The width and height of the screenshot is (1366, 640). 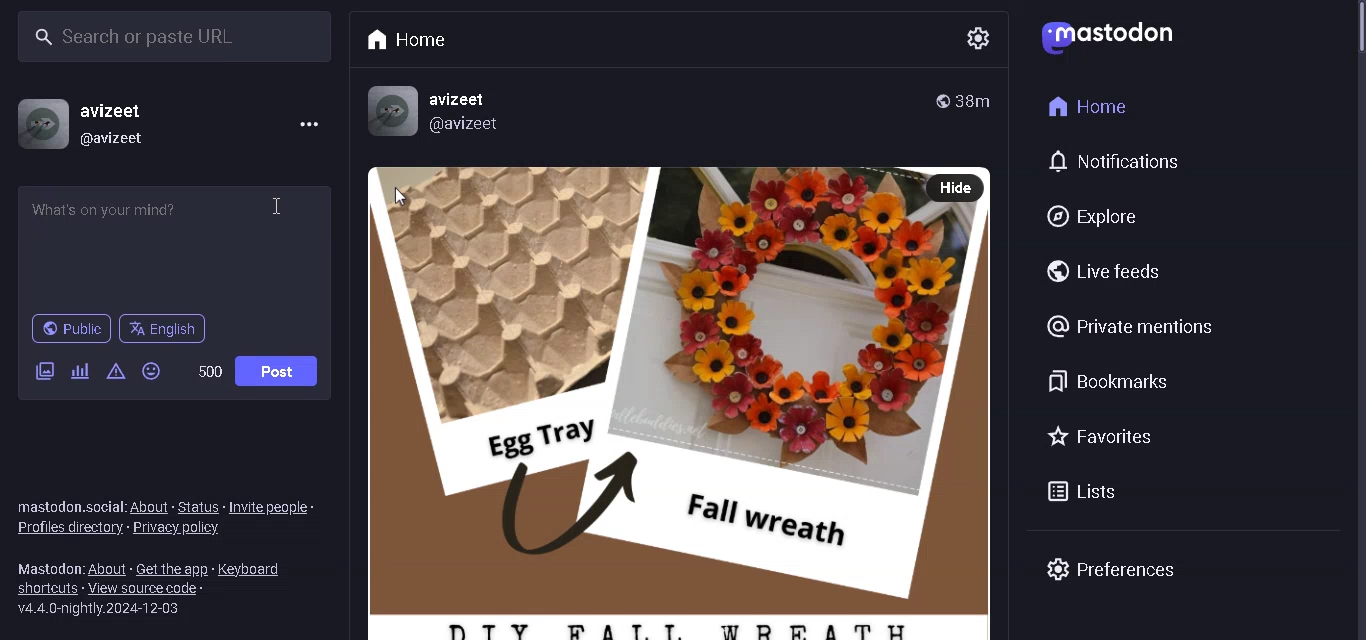 What do you see at coordinates (69, 327) in the screenshot?
I see `public` at bounding box center [69, 327].